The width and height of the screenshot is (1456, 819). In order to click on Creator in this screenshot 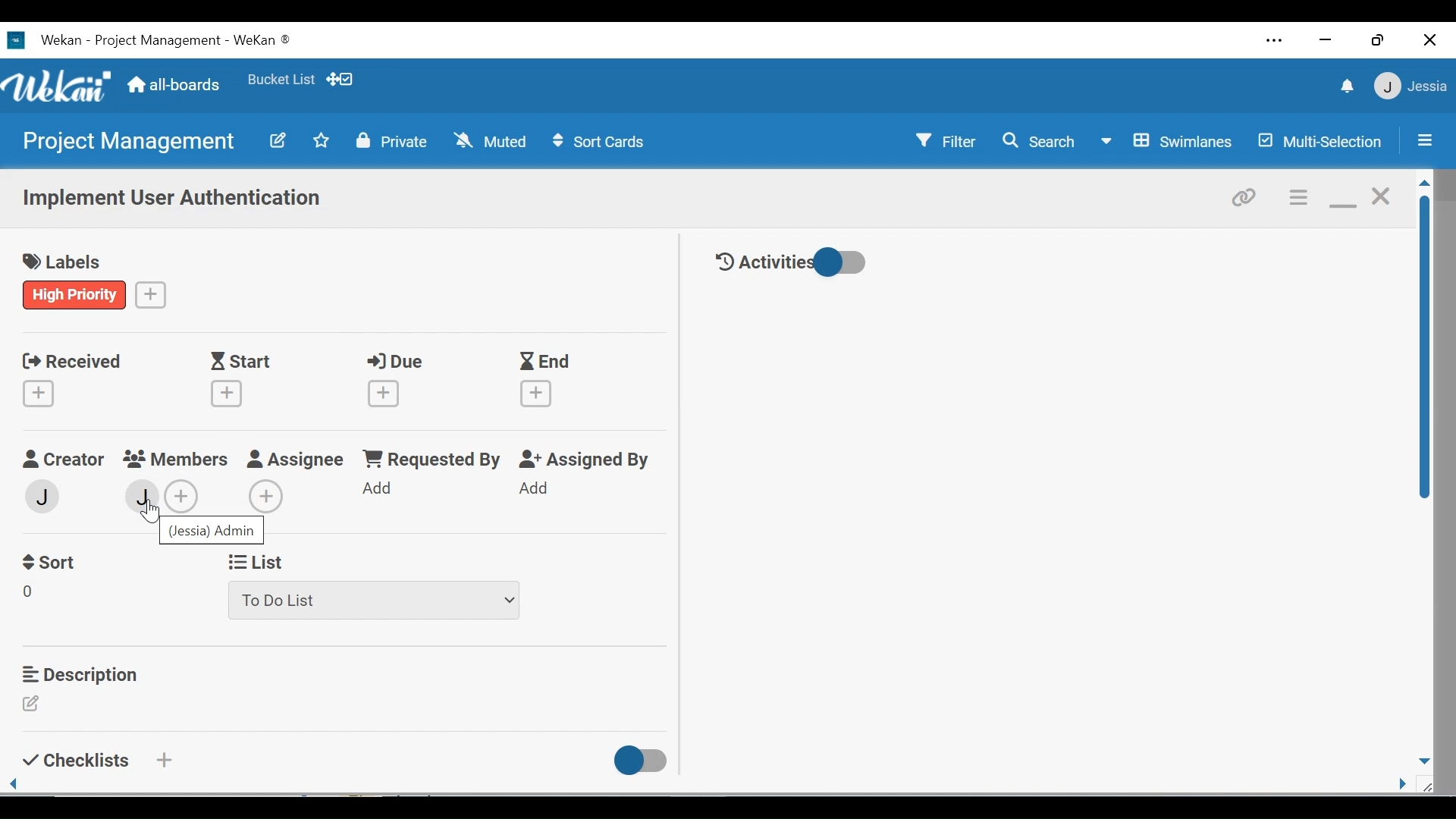, I will do `click(62, 460)`.